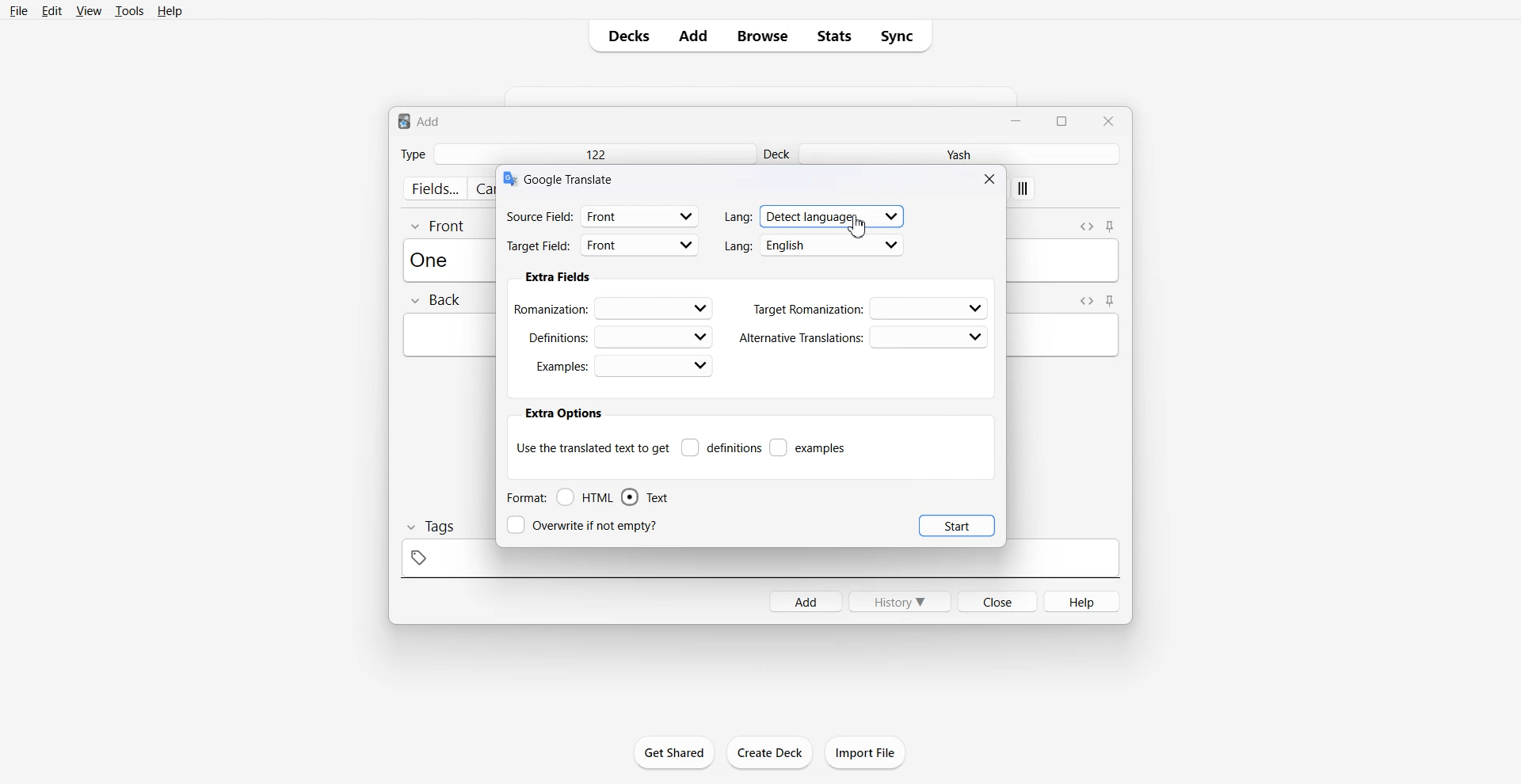 This screenshot has width=1521, height=784. Describe the element at coordinates (693, 36) in the screenshot. I see `Add` at that location.